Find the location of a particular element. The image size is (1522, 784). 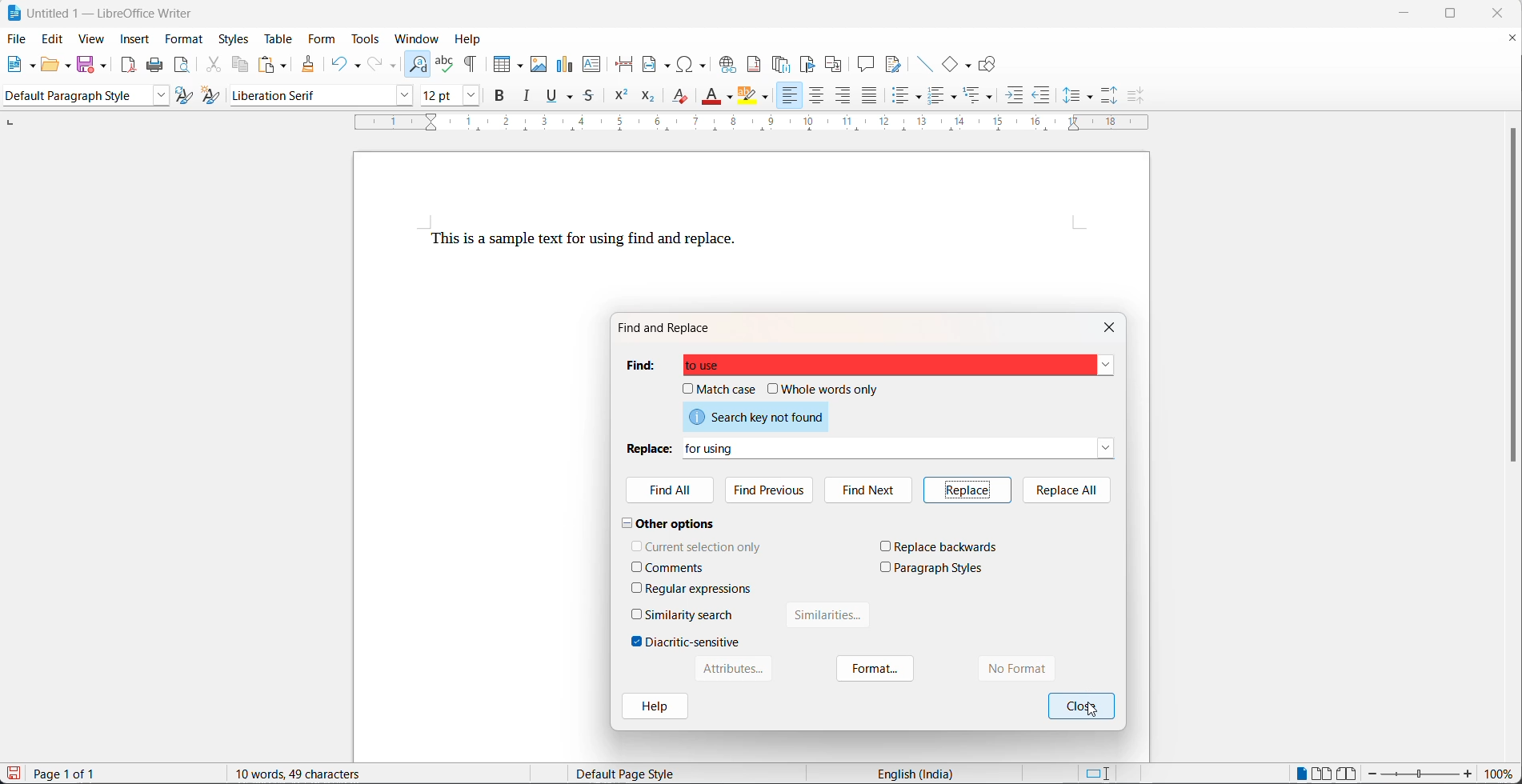

zoom slider is located at coordinates (1420, 774).